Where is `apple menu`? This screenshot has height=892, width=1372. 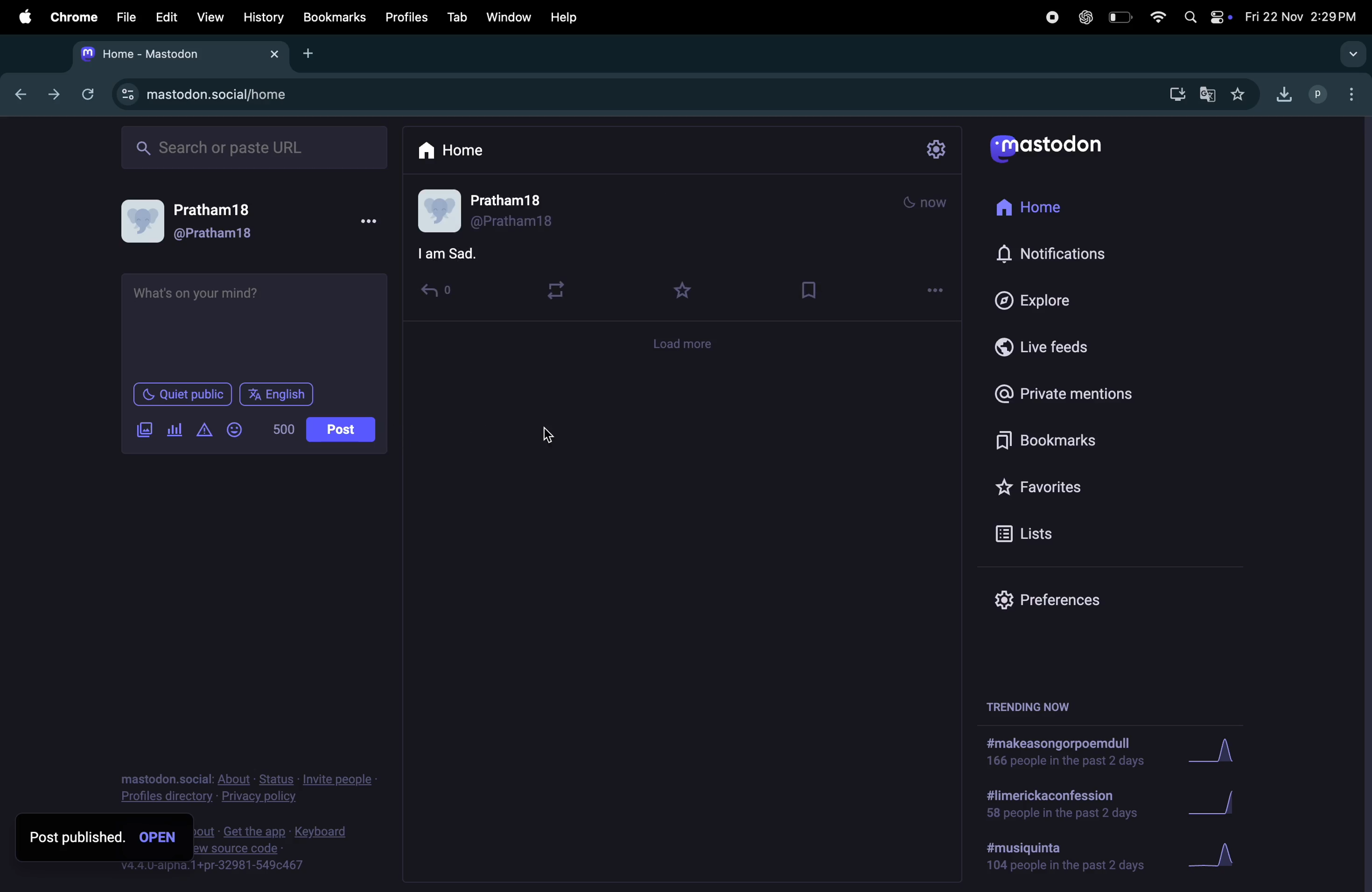 apple menu is located at coordinates (21, 16).